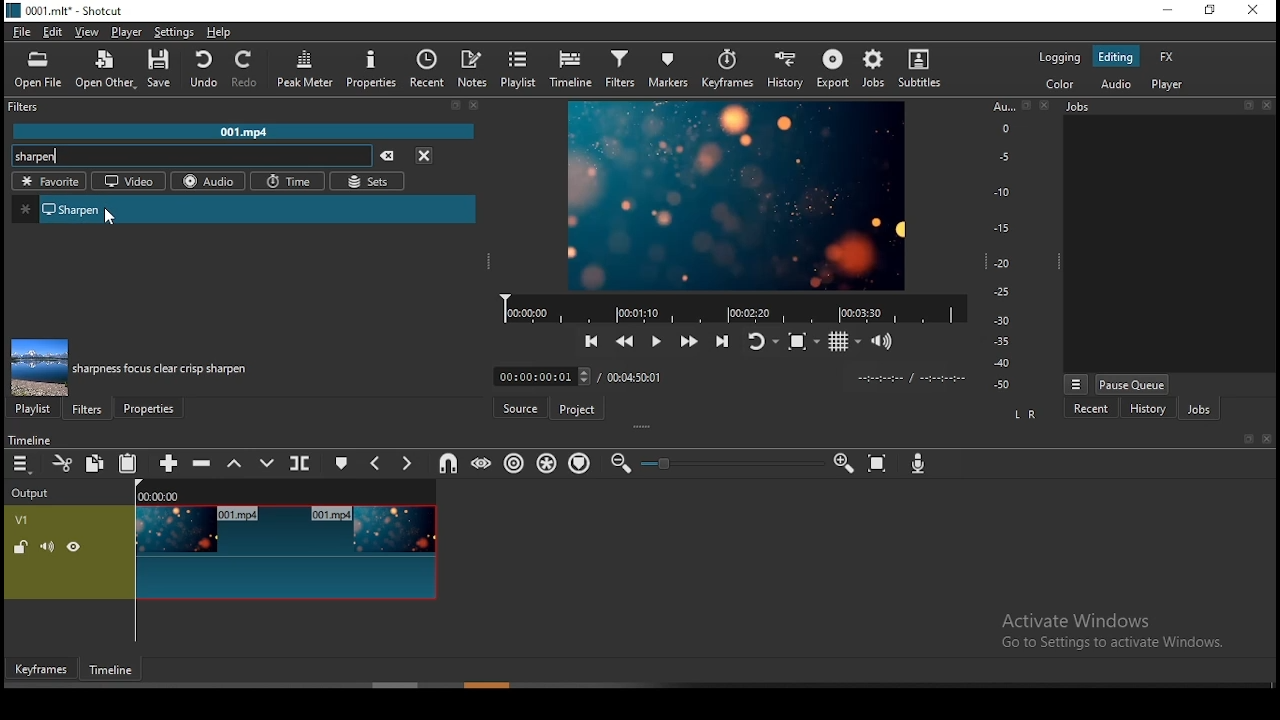 The width and height of the screenshot is (1280, 720). Describe the element at coordinates (578, 464) in the screenshot. I see `ripple markers` at that location.